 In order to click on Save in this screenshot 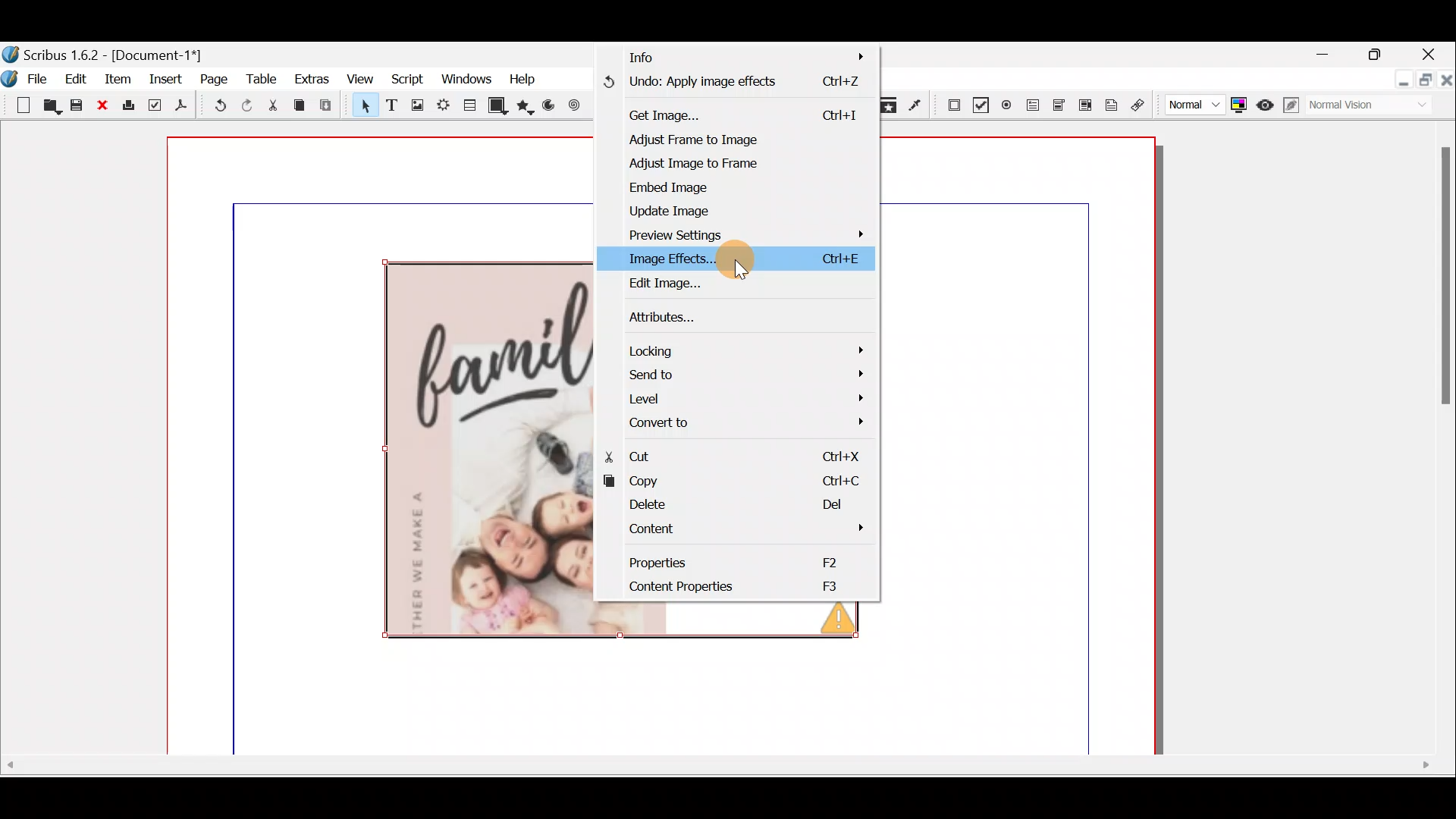, I will do `click(75, 105)`.